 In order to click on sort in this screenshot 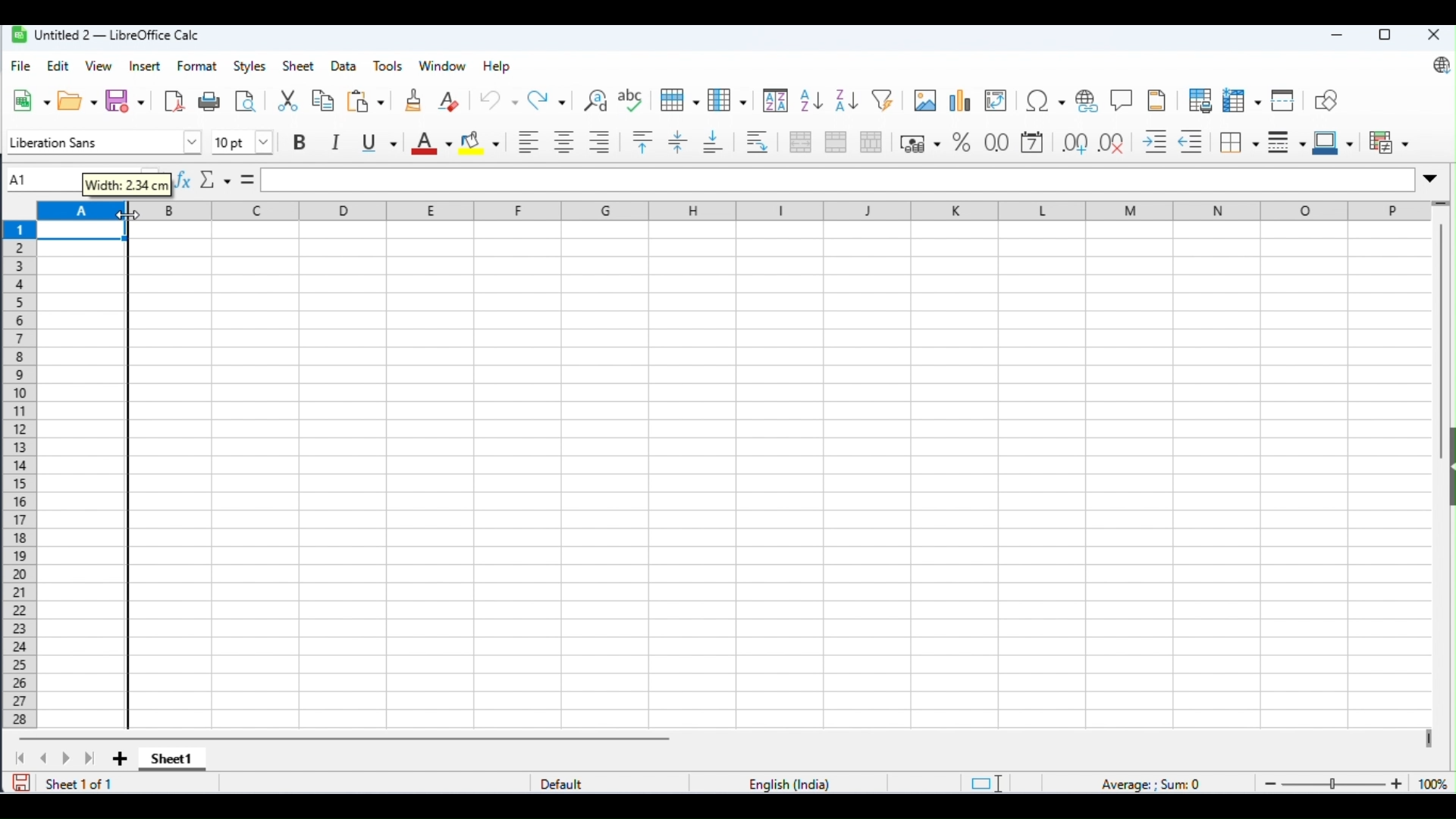, I will do `click(774, 101)`.